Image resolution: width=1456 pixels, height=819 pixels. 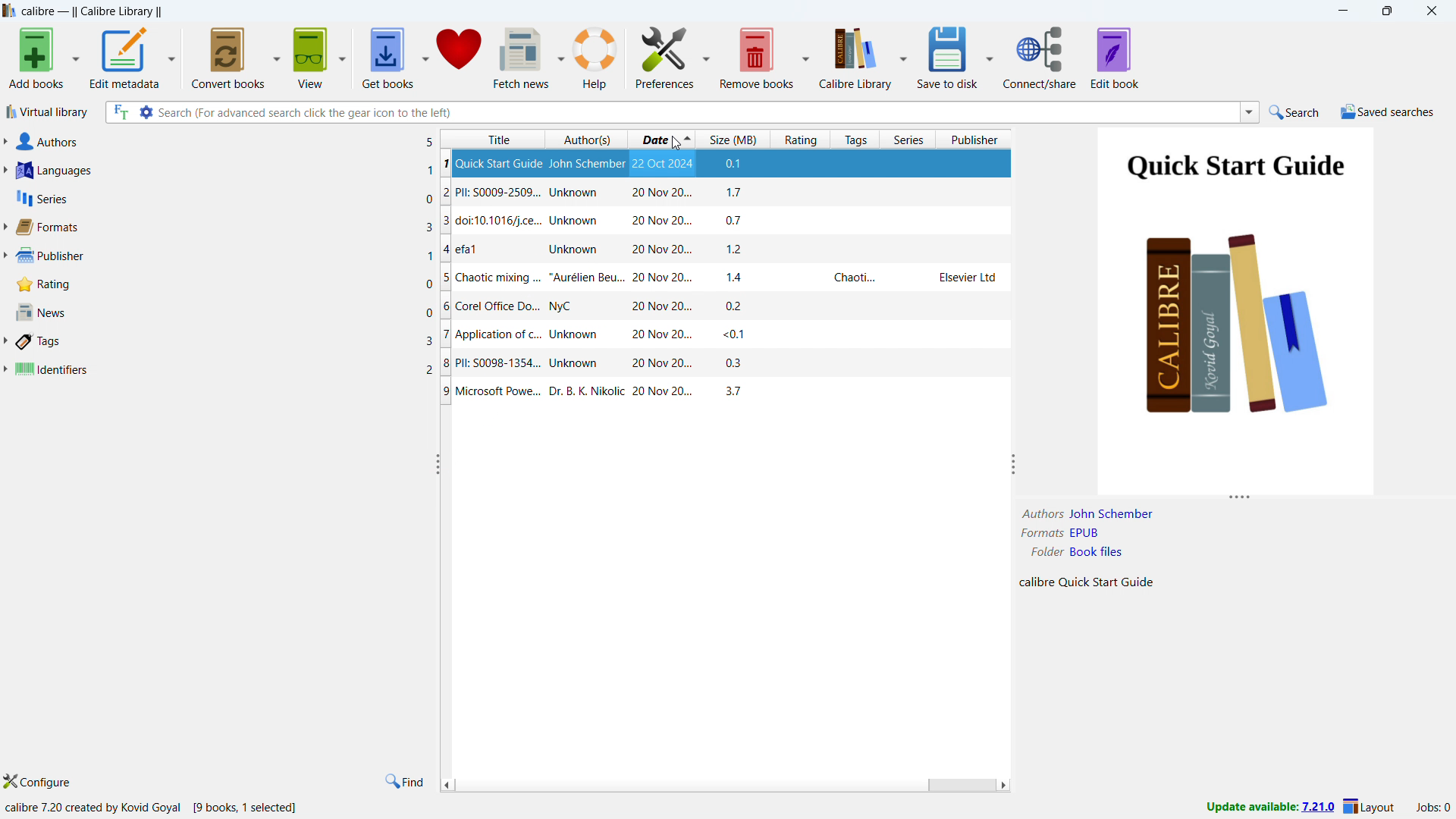 What do you see at coordinates (1046, 552) in the screenshot?
I see `Folder` at bounding box center [1046, 552].